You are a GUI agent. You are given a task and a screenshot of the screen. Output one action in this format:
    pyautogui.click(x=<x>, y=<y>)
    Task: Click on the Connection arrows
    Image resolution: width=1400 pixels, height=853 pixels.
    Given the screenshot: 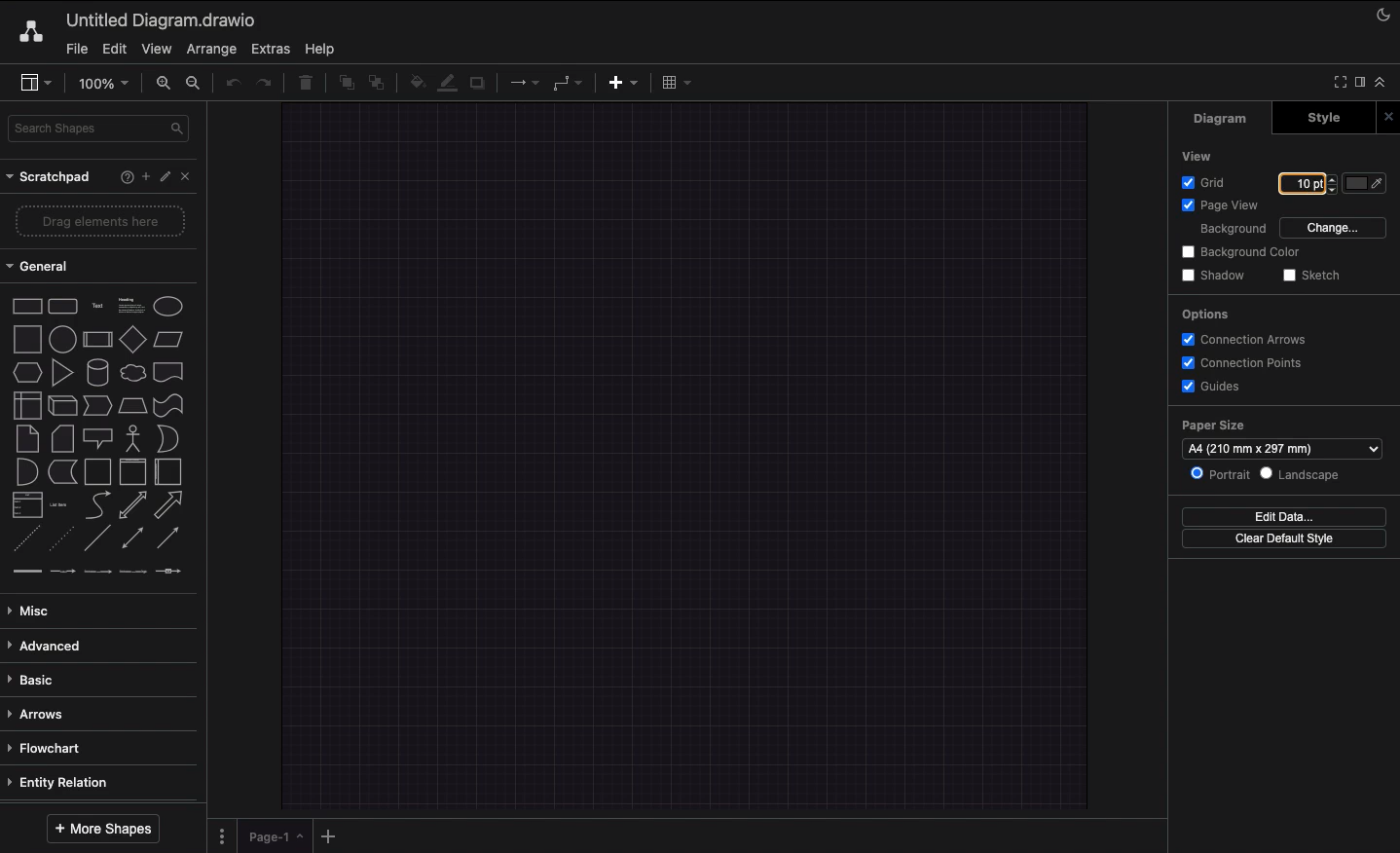 What is the action you would take?
    pyautogui.click(x=1251, y=341)
    